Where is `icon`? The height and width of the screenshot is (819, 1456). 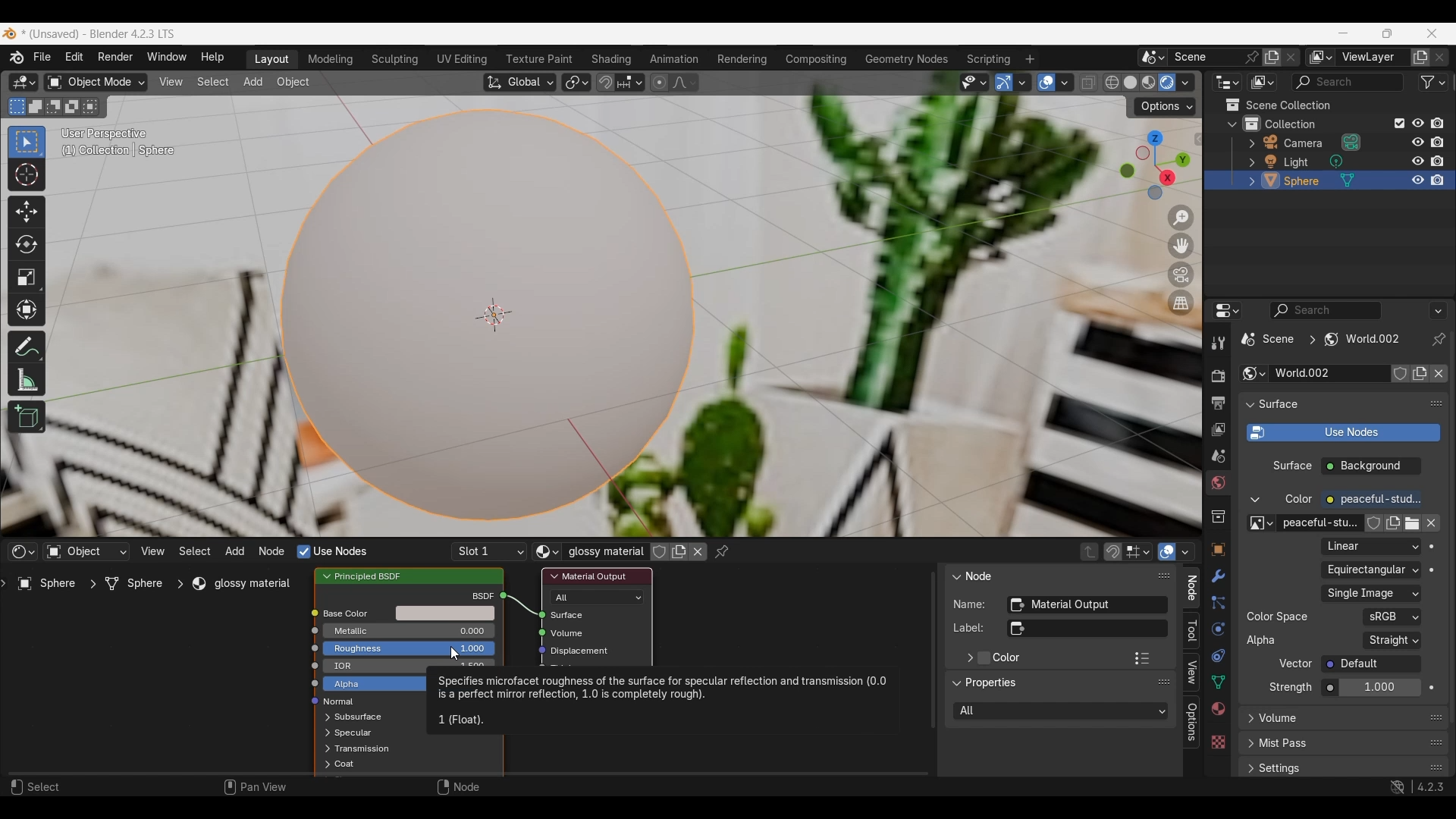 icon is located at coordinates (532, 615).